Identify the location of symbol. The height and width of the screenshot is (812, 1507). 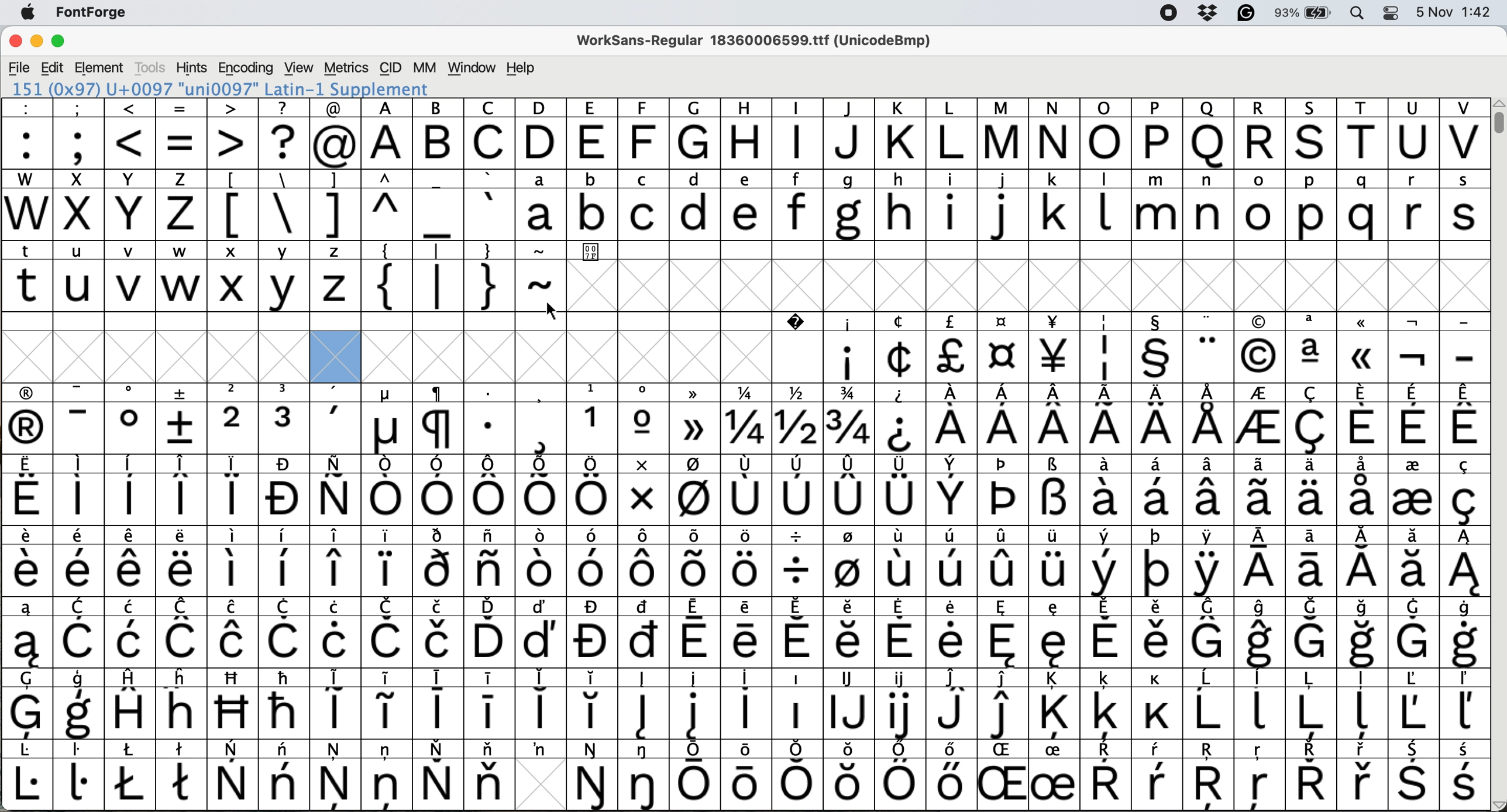
(490, 491).